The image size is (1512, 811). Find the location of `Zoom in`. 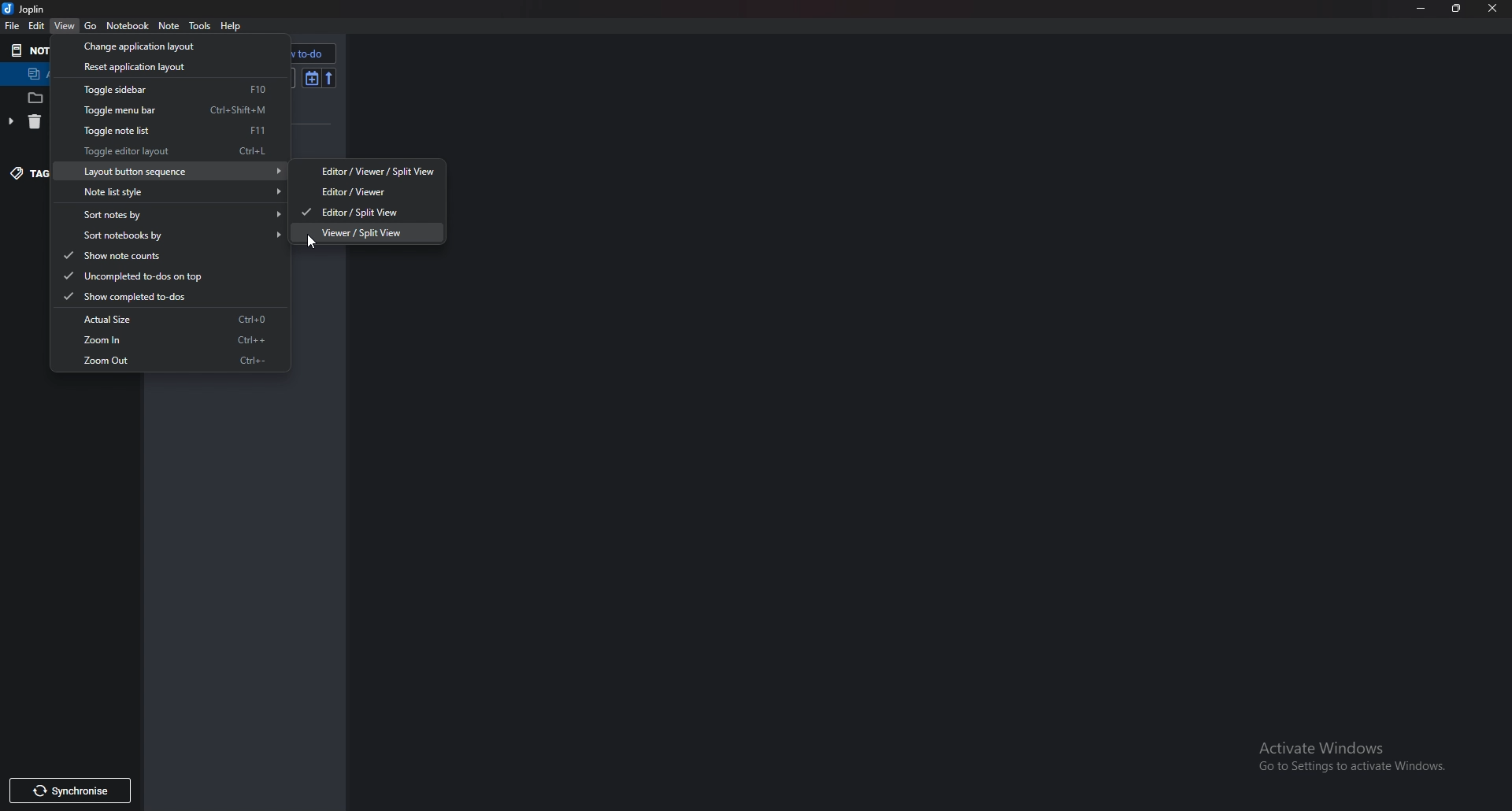

Zoom in is located at coordinates (168, 340).